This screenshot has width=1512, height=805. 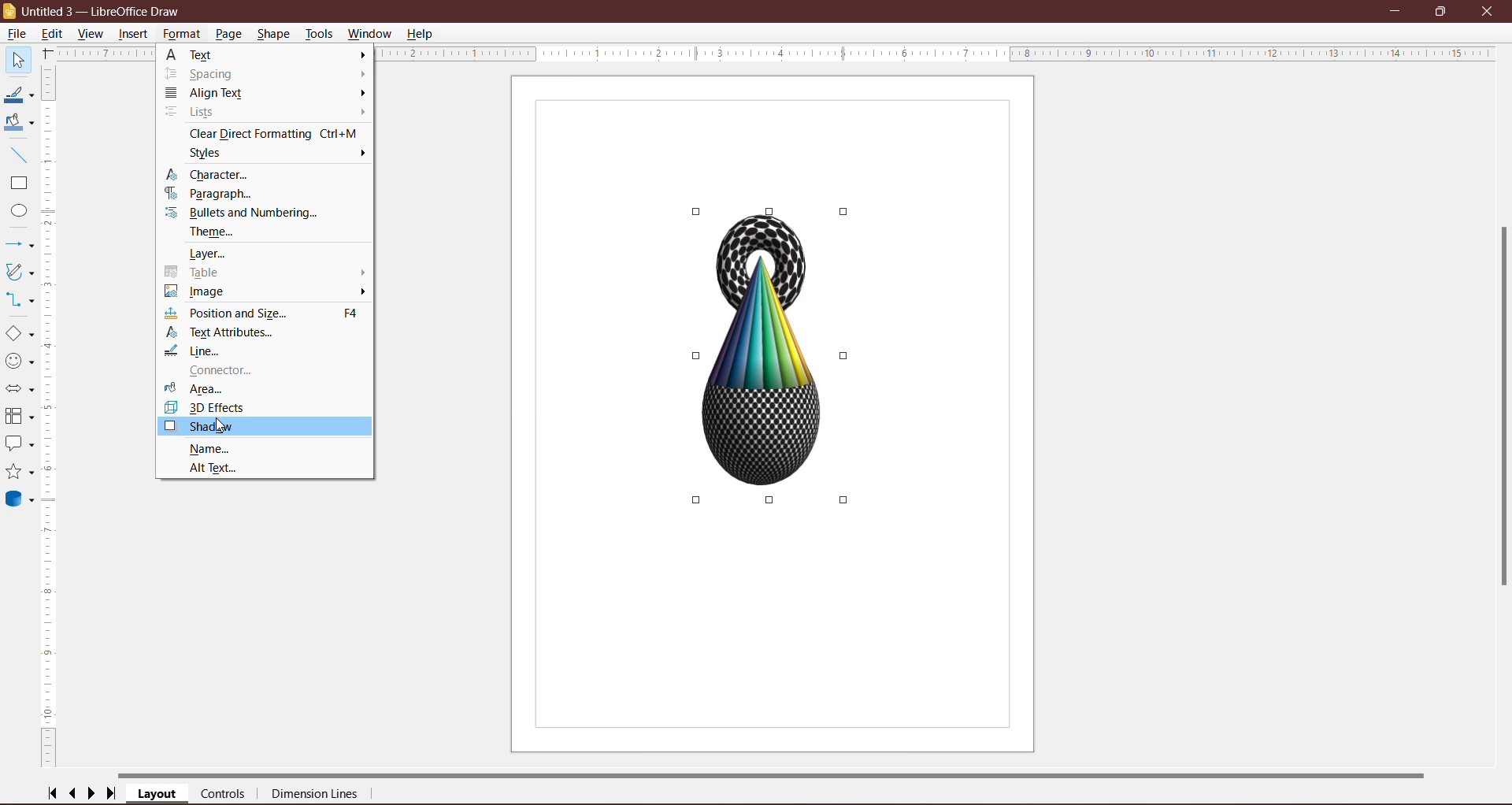 What do you see at coordinates (73, 793) in the screenshot?
I see `Scroll to previous page` at bounding box center [73, 793].